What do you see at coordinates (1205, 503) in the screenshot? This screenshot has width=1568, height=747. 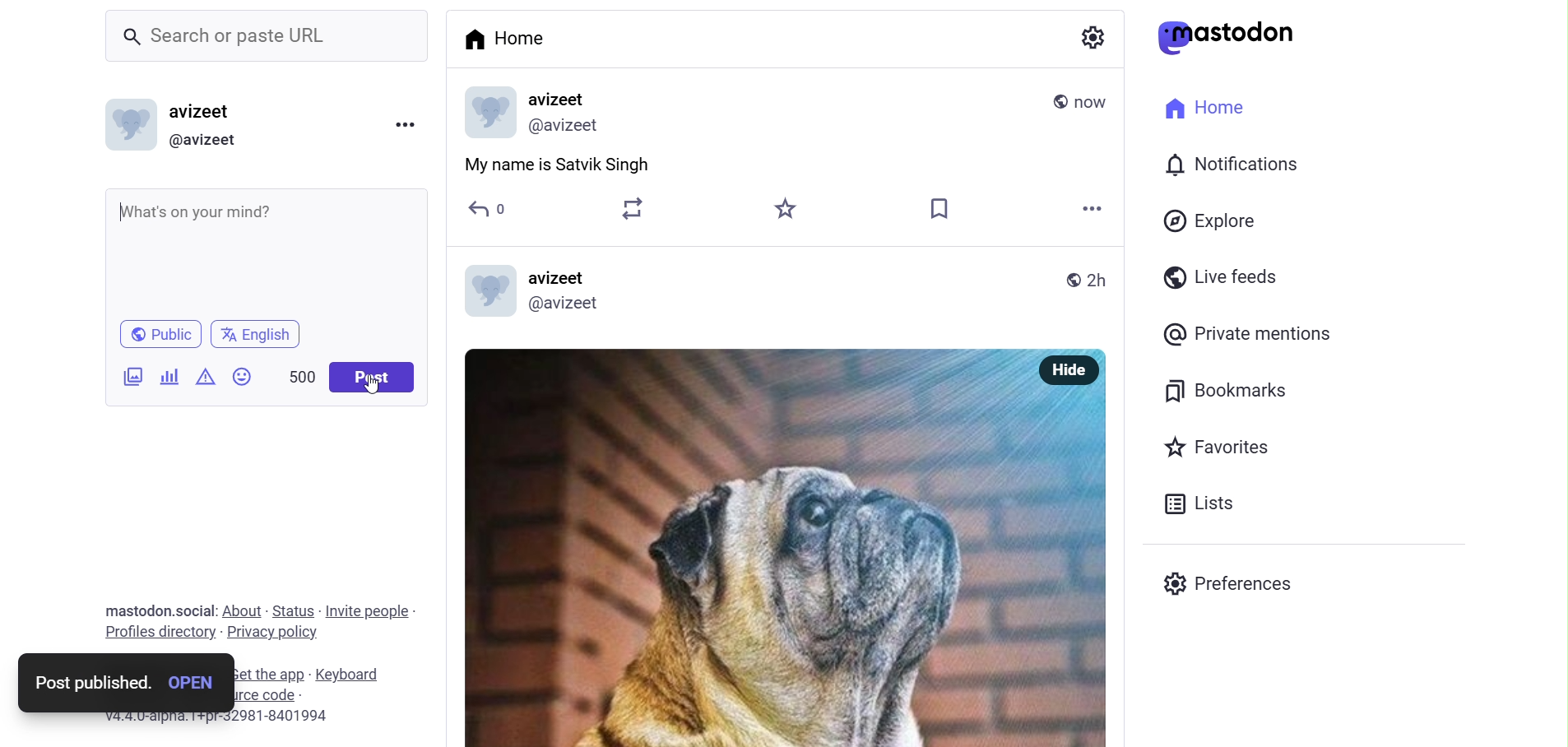 I see `Lists` at bounding box center [1205, 503].